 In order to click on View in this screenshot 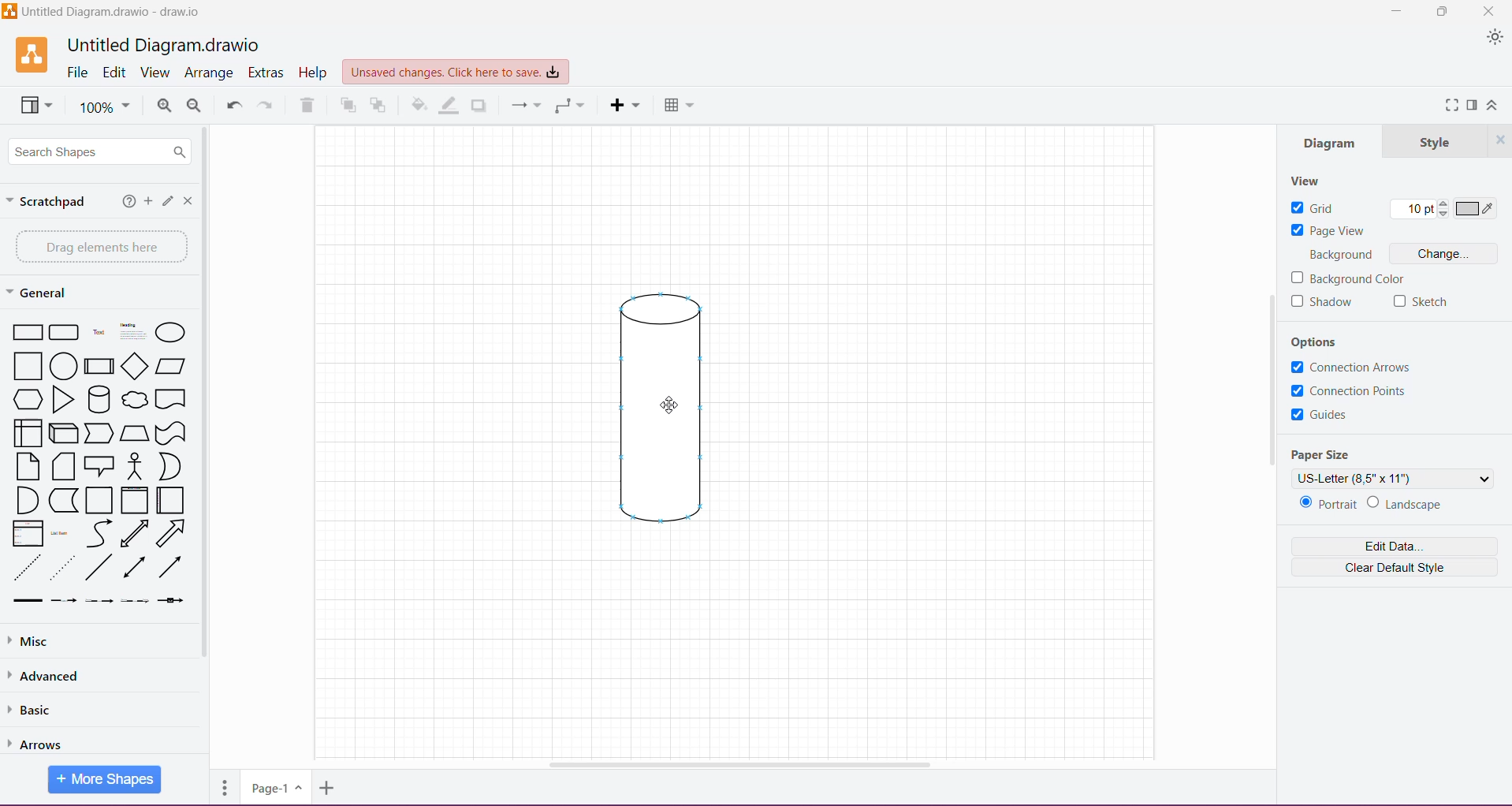, I will do `click(157, 73)`.